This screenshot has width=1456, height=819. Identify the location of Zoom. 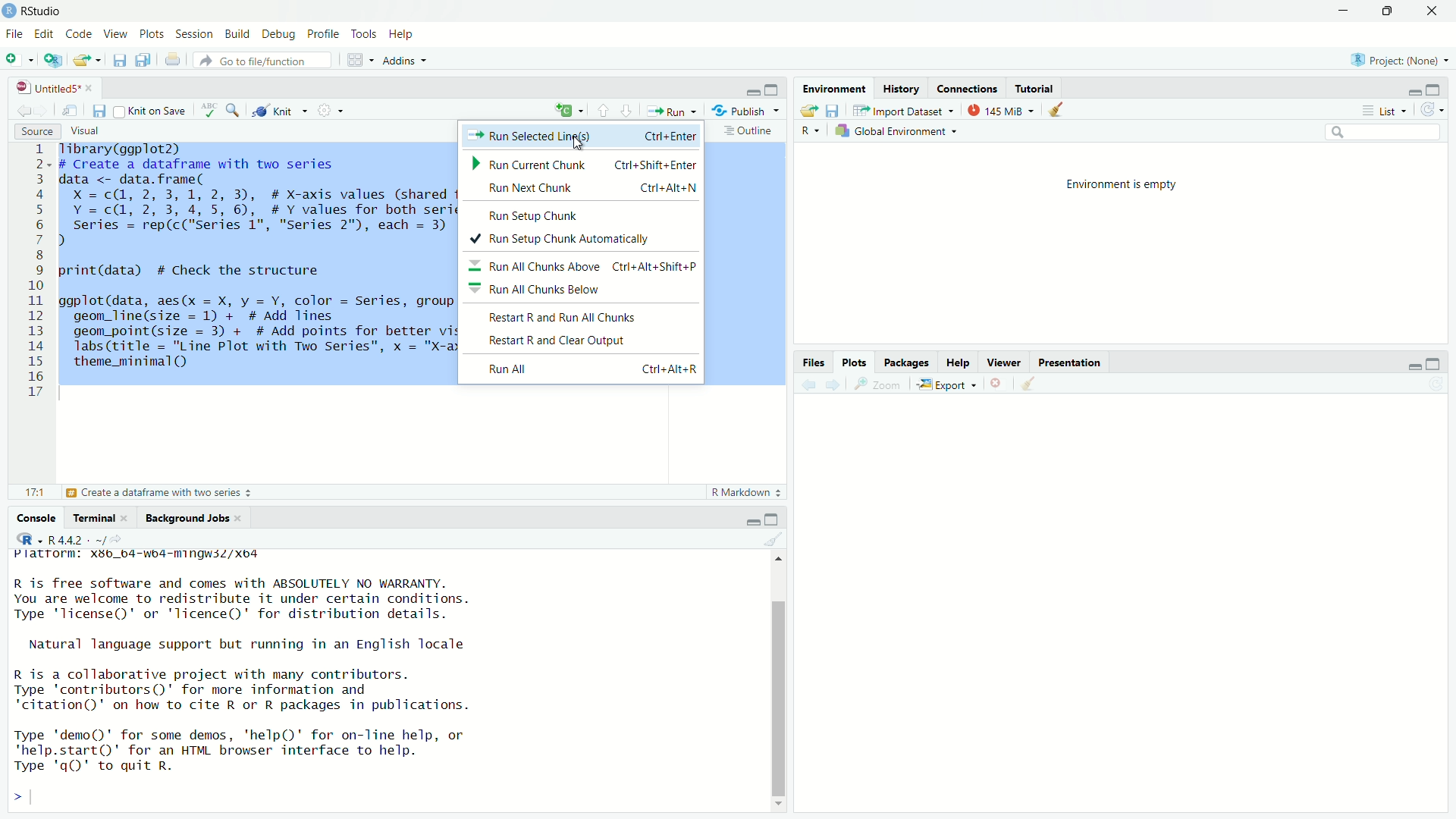
(877, 384).